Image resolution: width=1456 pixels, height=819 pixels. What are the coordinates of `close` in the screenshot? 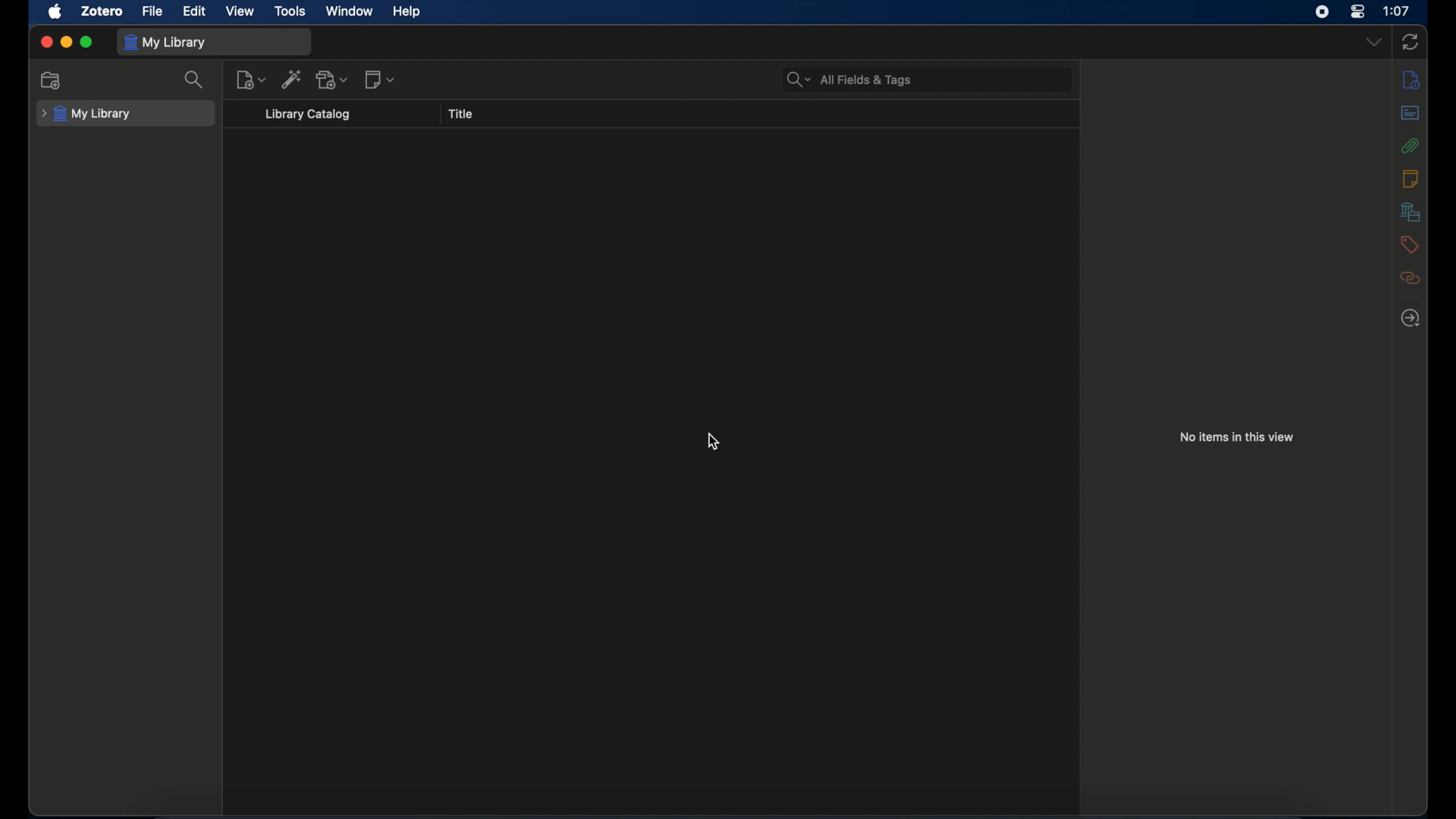 It's located at (46, 42).